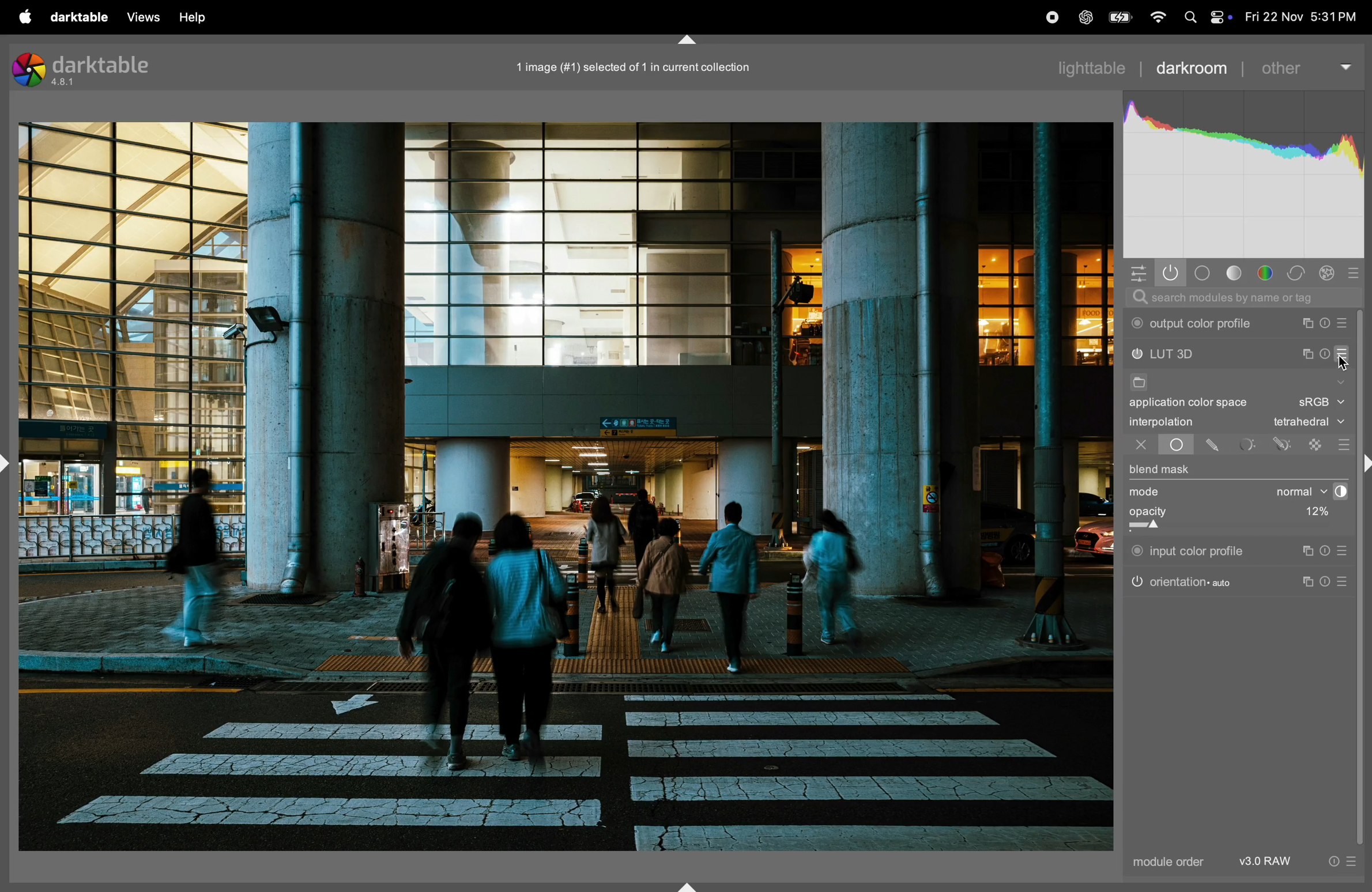 The height and width of the screenshot is (892, 1372). Describe the element at coordinates (1345, 323) in the screenshot. I see `presets` at that location.